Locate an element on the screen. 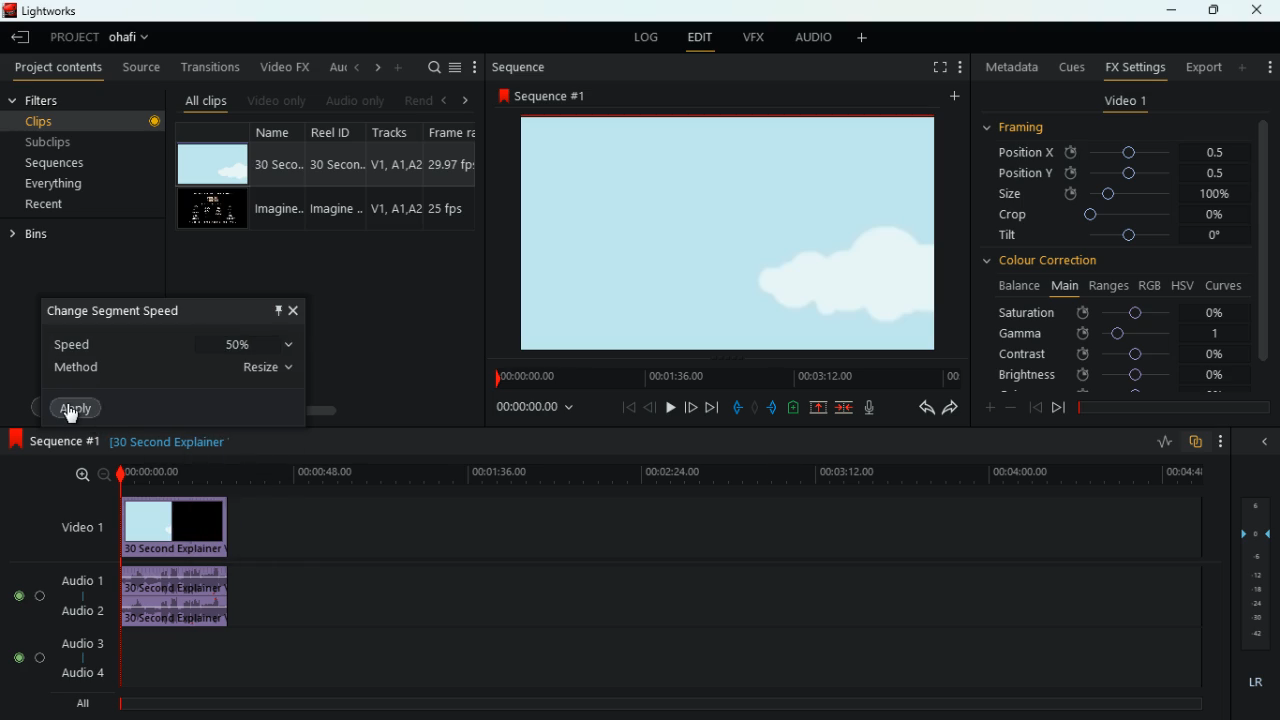  brightness is located at coordinates (1110, 374).